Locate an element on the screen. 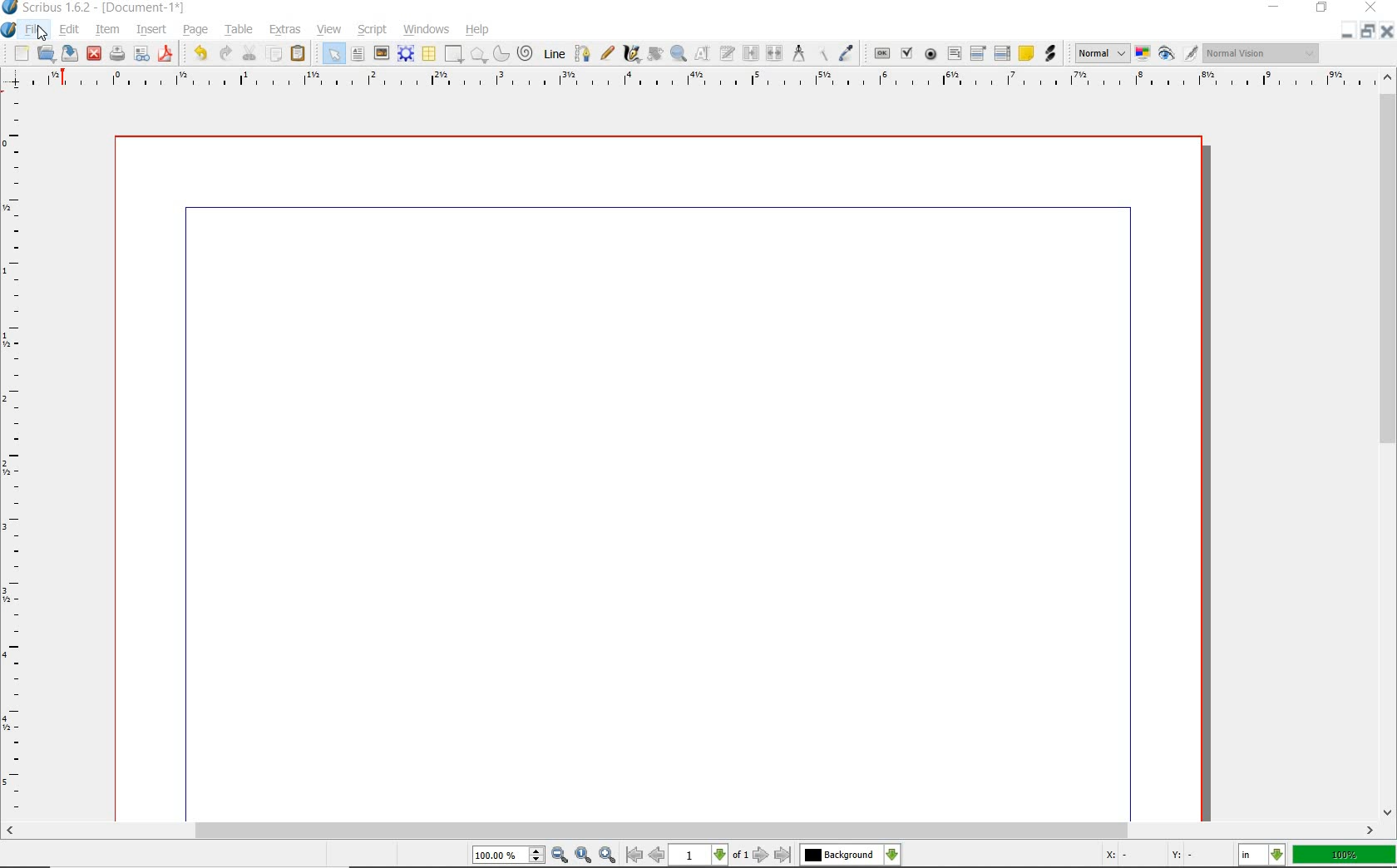 The height and width of the screenshot is (868, 1397). pdf combo box is located at coordinates (981, 52).